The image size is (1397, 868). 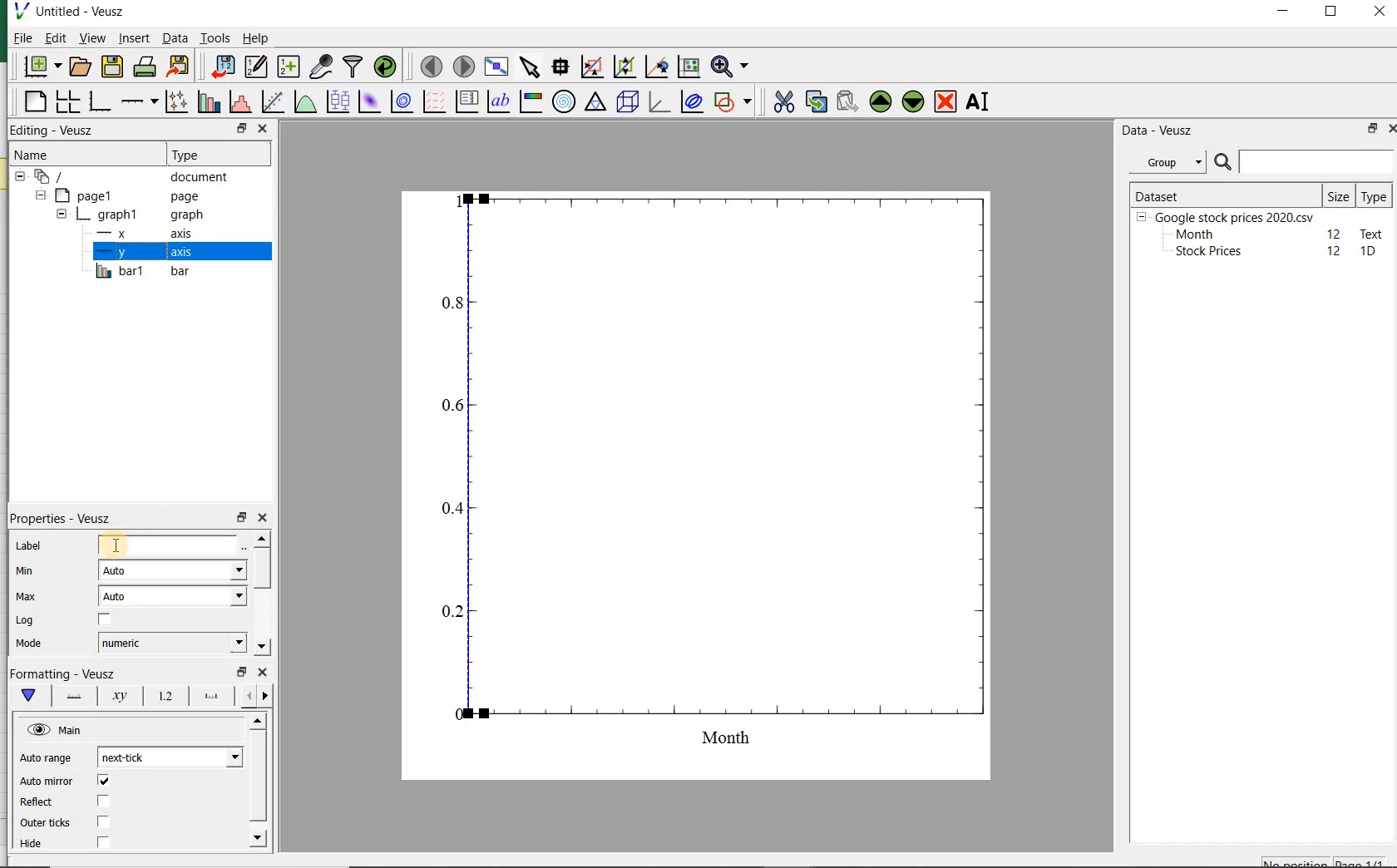 What do you see at coordinates (733, 102) in the screenshot?
I see `add a shape to the plot` at bounding box center [733, 102].